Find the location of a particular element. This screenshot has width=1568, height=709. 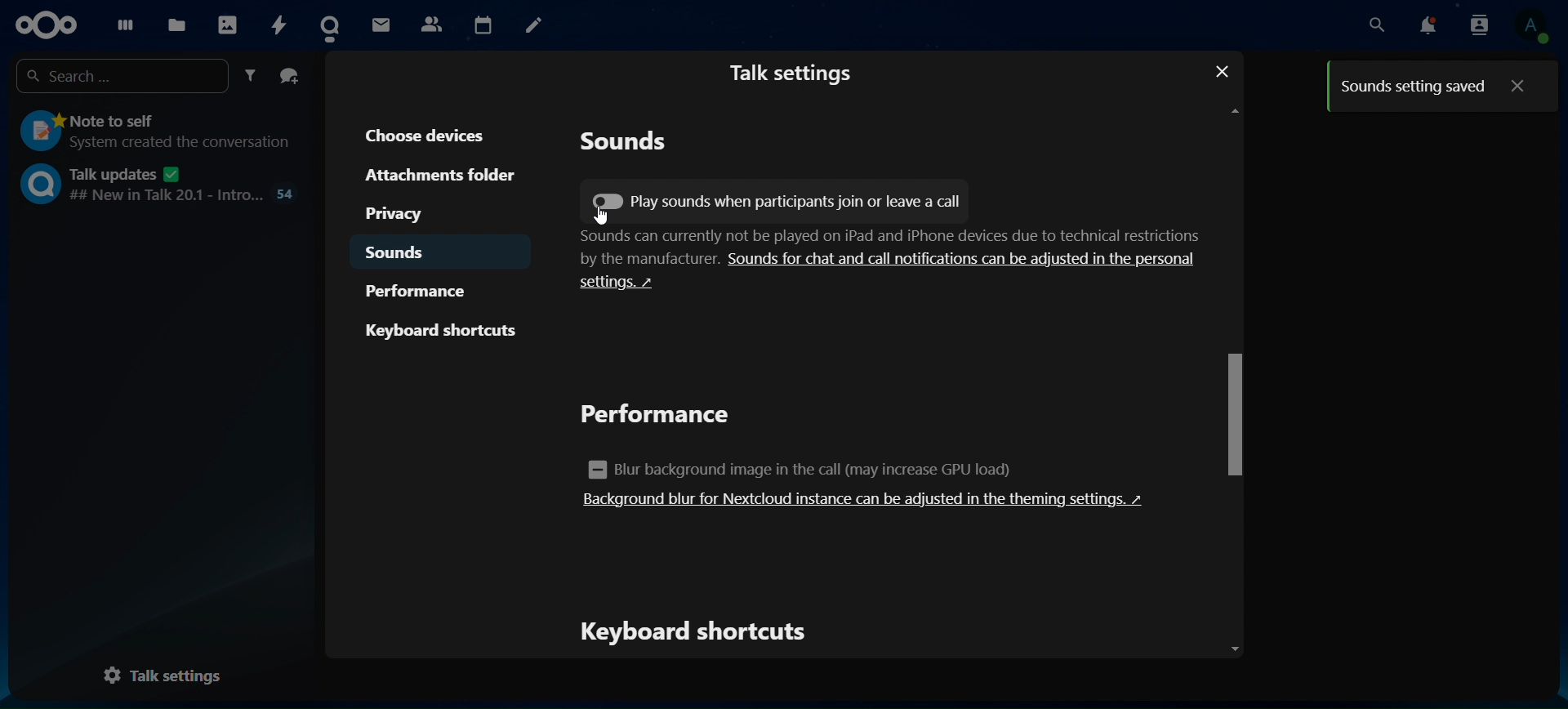

contacts is located at coordinates (430, 24).